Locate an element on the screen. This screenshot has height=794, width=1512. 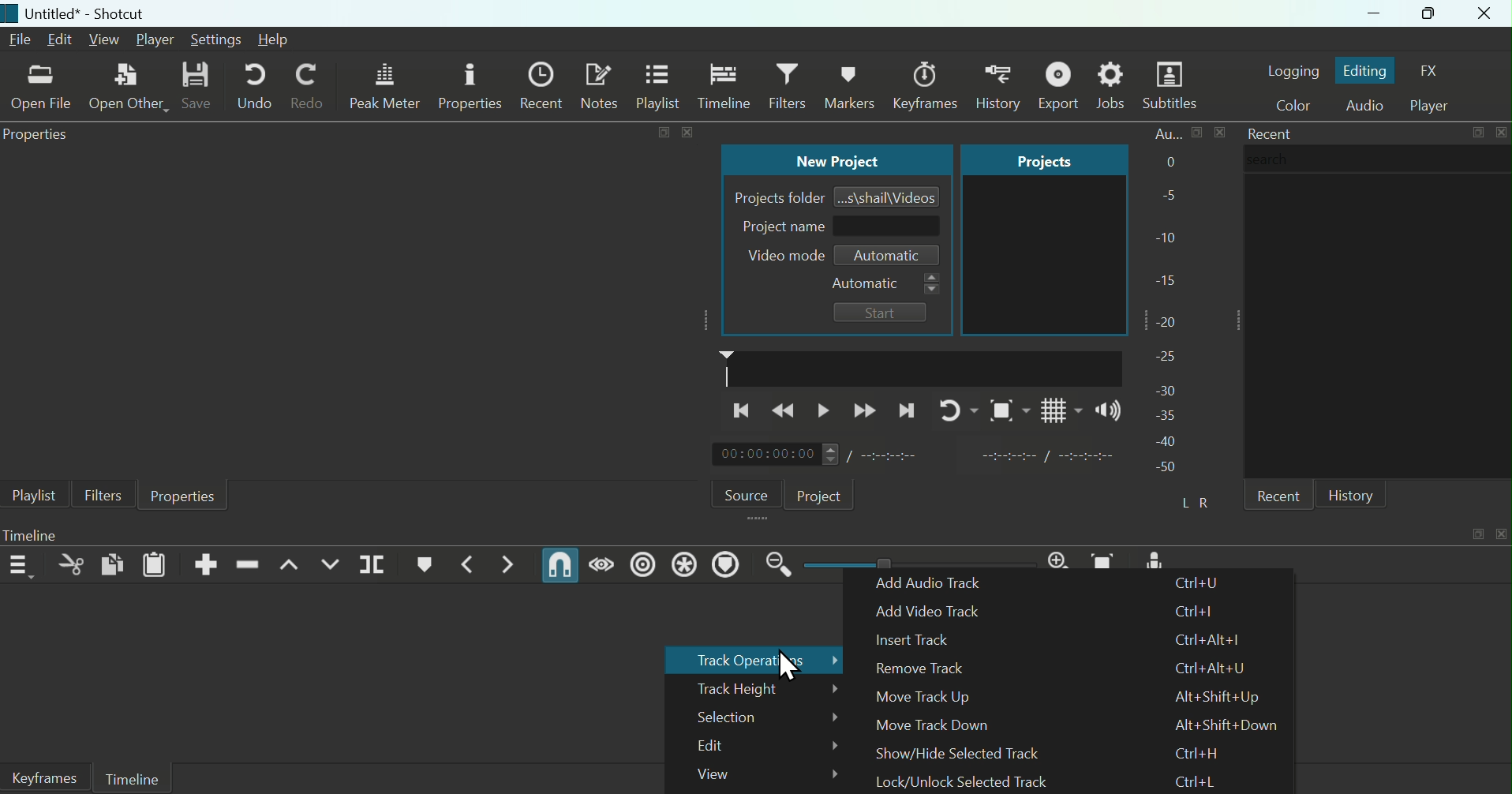
Edit is located at coordinates (62, 40).